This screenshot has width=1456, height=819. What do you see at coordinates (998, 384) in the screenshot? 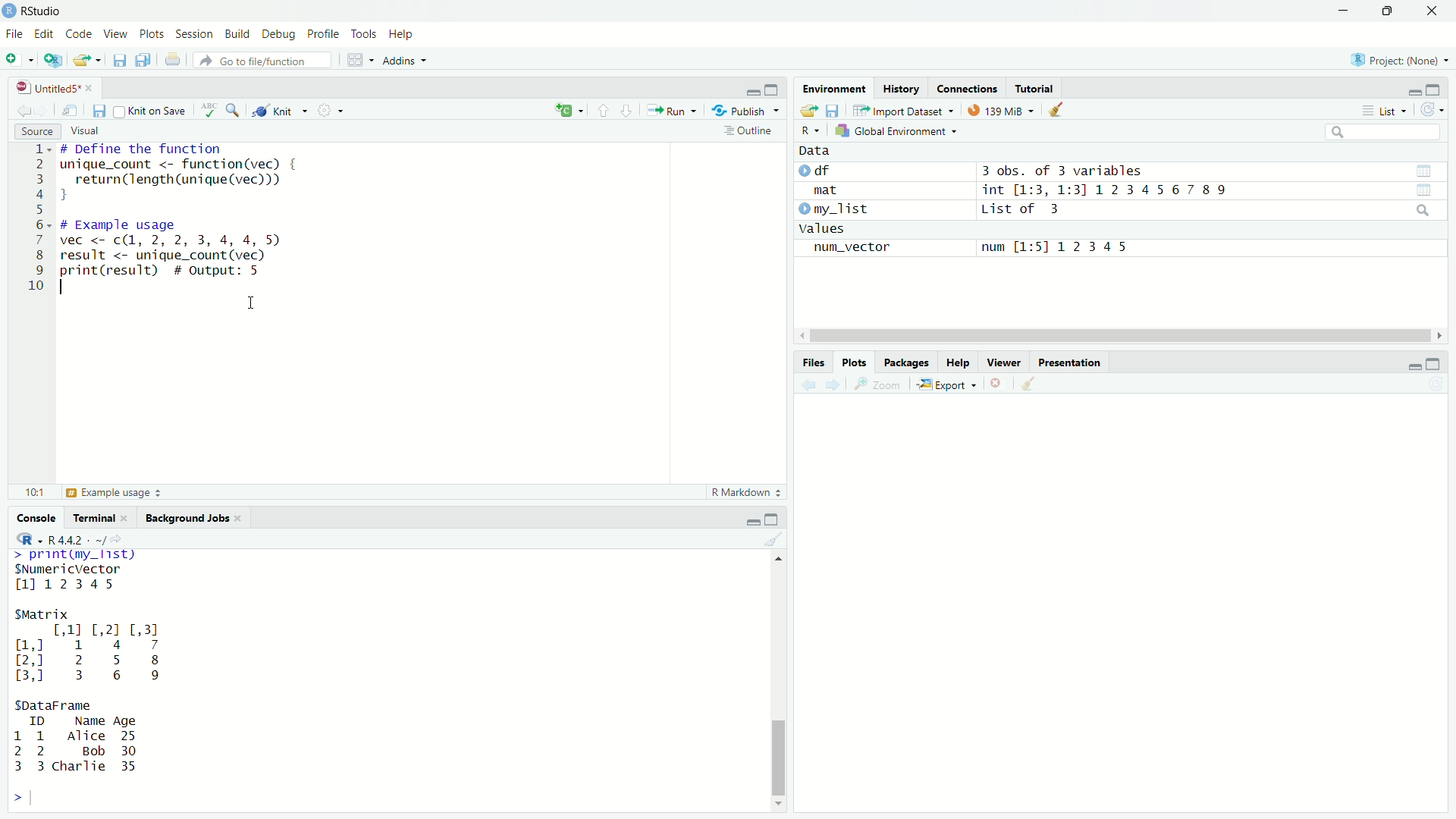
I see `clear current plot` at bounding box center [998, 384].